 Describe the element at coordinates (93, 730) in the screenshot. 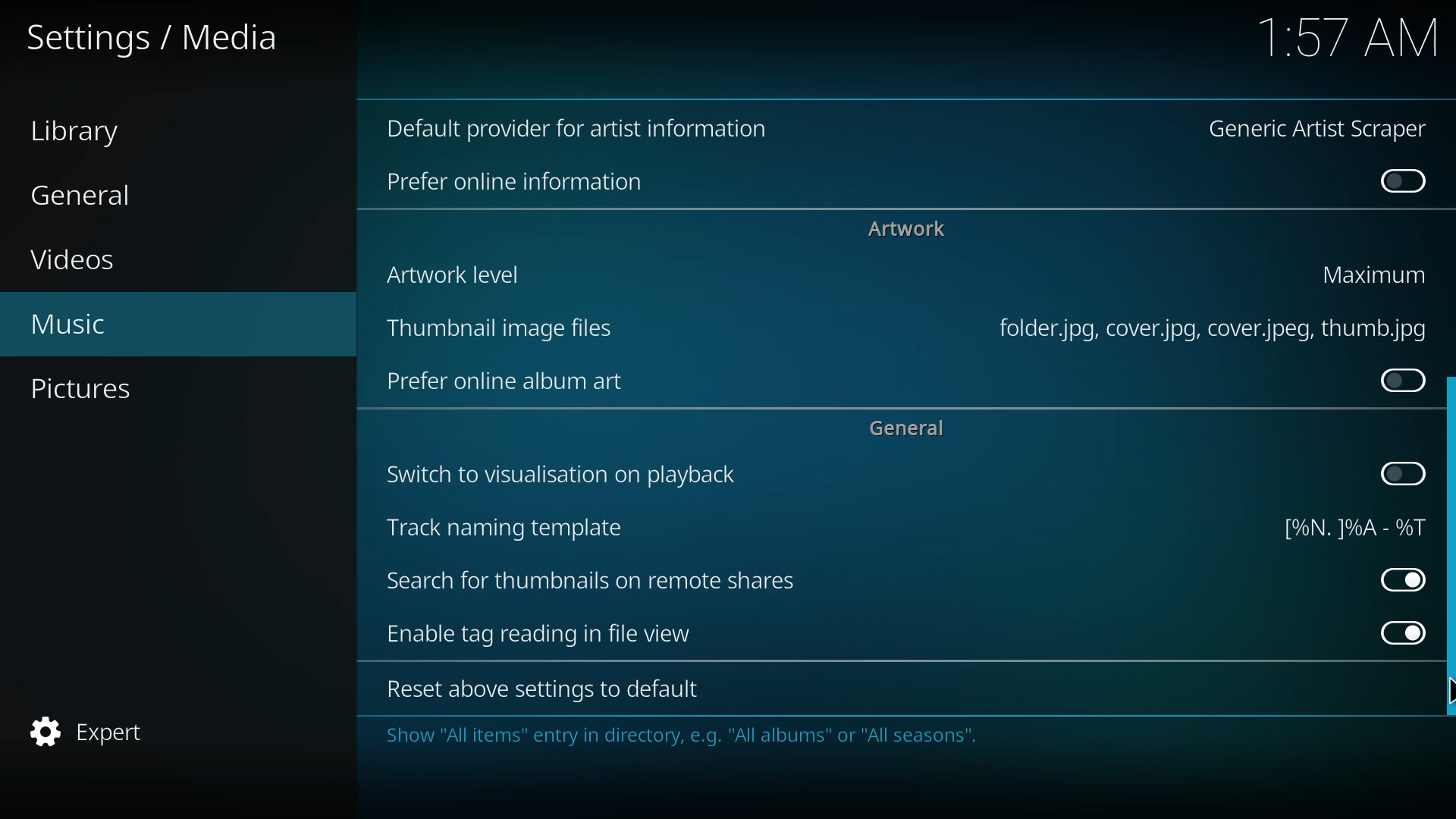

I see `expert` at that location.